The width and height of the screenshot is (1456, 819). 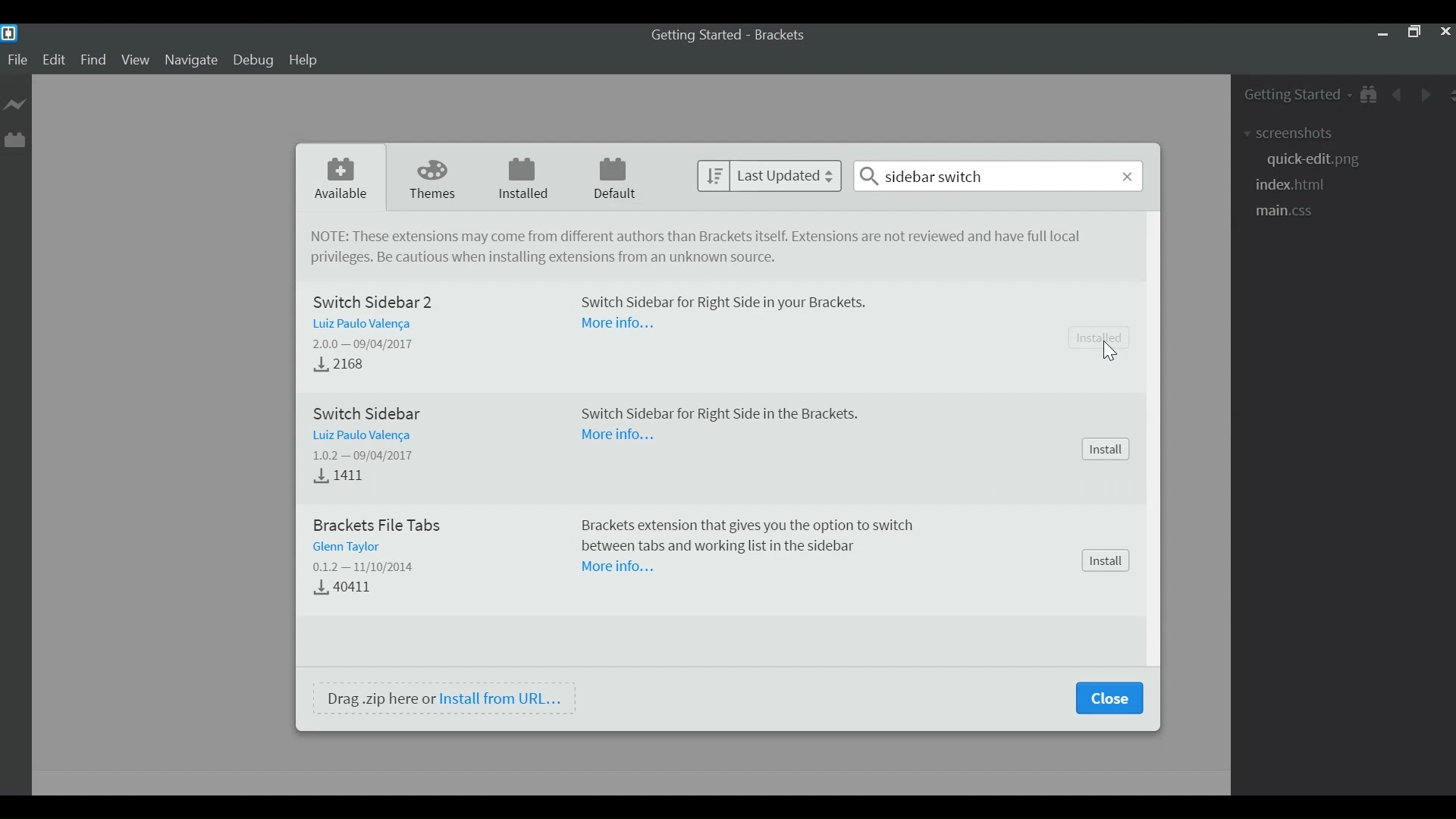 What do you see at coordinates (1109, 352) in the screenshot?
I see `cursor` at bounding box center [1109, 352].